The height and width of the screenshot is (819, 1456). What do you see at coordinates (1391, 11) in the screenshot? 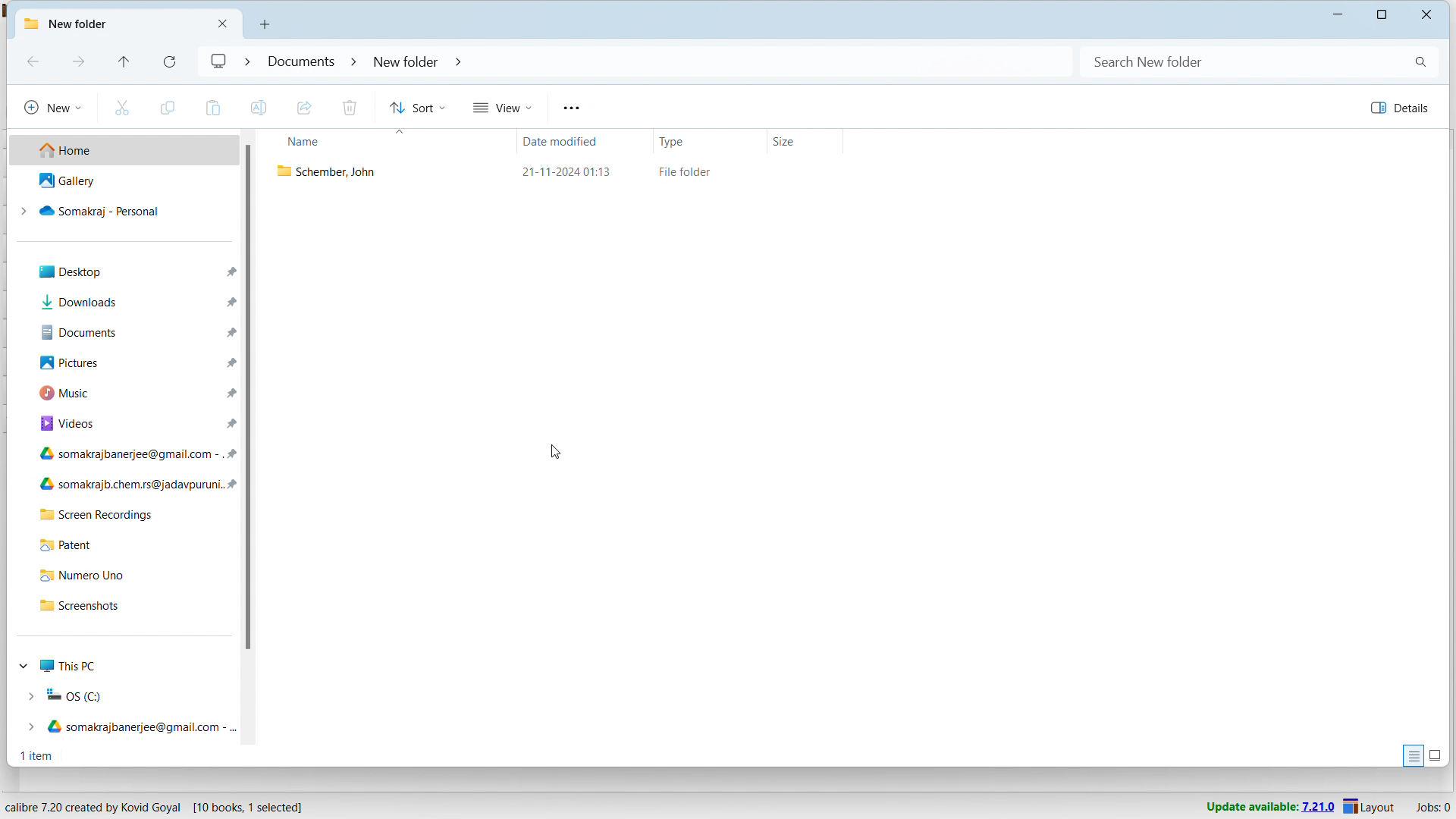
I see `maximize` at bounding box center [1391, 11].